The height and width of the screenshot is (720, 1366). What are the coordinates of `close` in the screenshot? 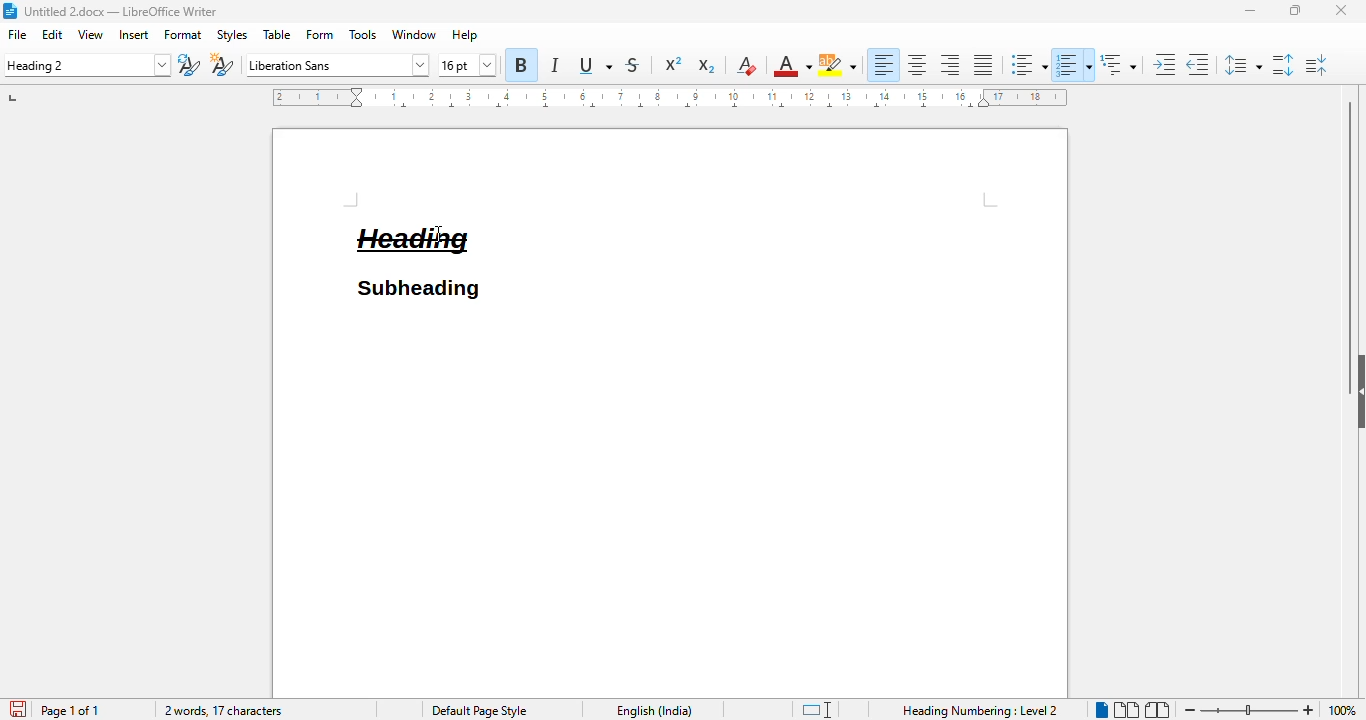 It's located at (1341, 9).